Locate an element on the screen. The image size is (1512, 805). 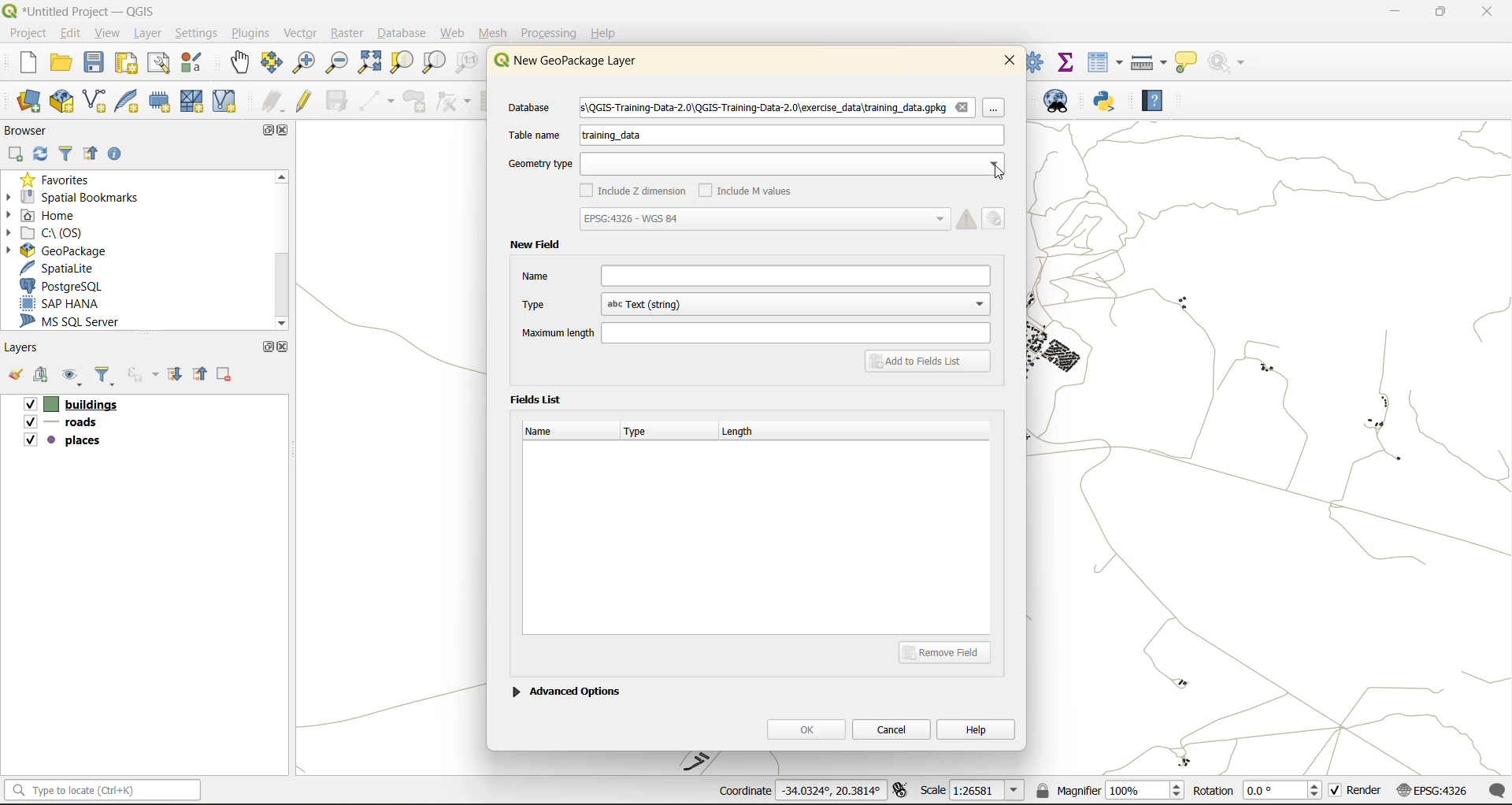
spatialite is located at coordinates (66, 268).